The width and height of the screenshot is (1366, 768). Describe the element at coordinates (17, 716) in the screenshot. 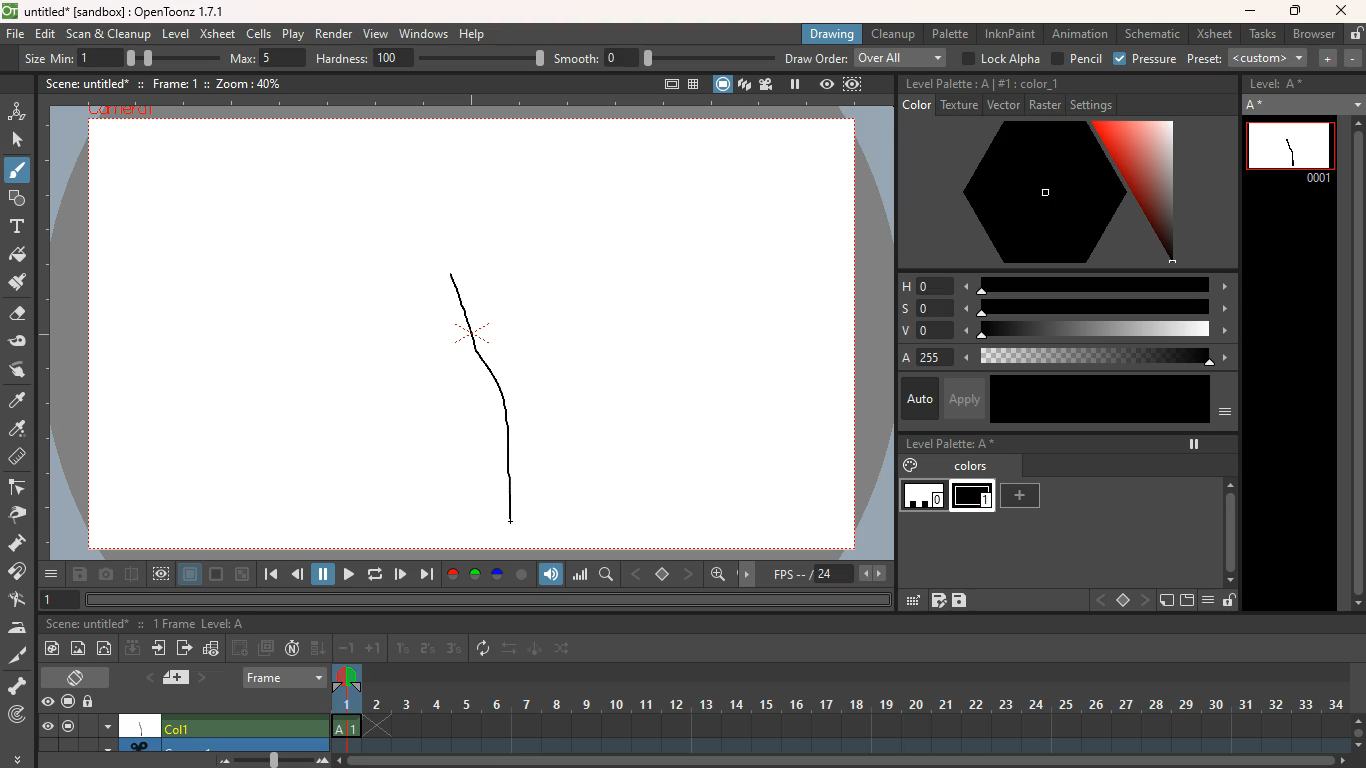

I see `locate` at that location.